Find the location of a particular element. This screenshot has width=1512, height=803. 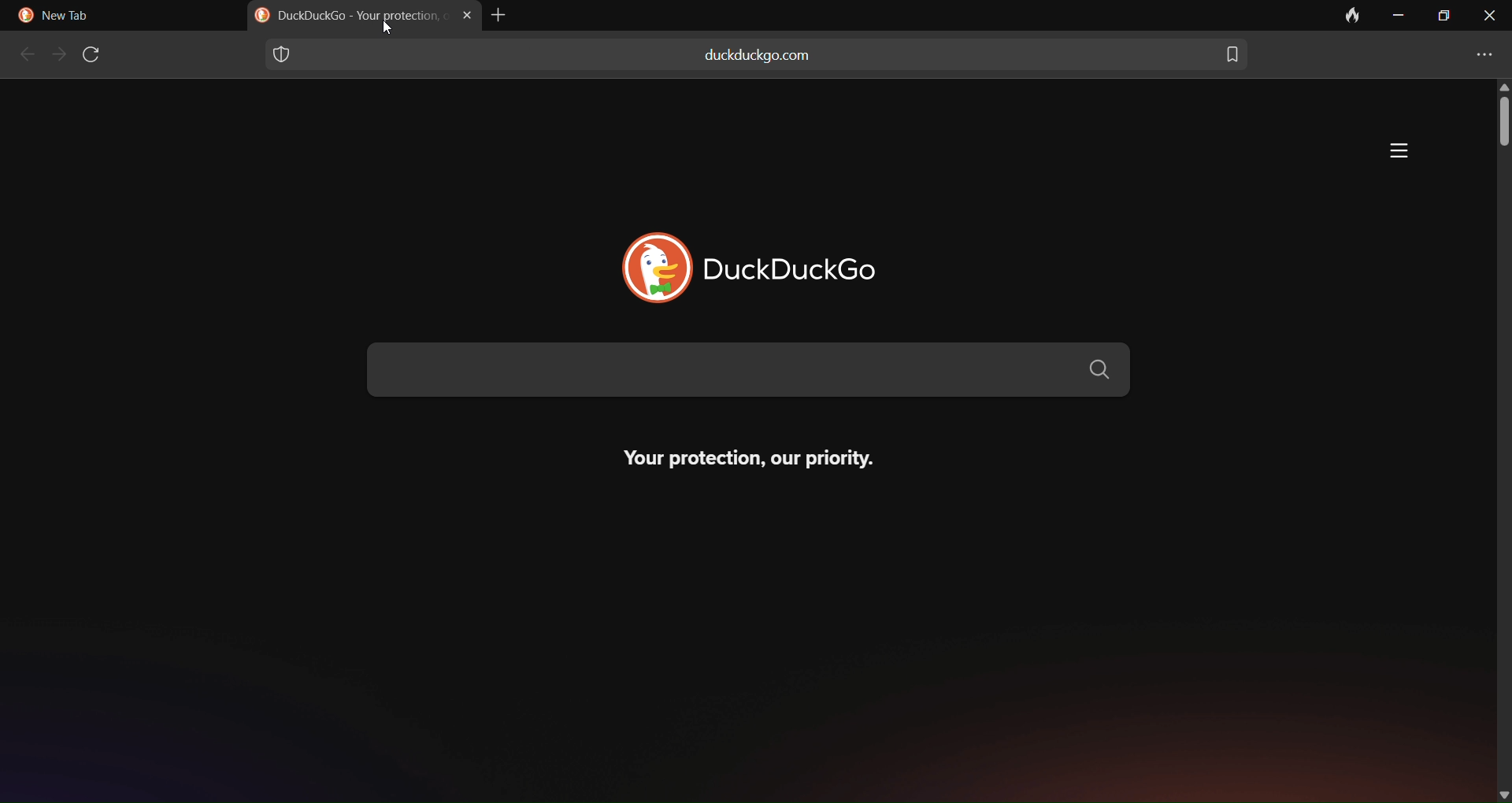

scroll bar is located at coordinates (1499, 125).